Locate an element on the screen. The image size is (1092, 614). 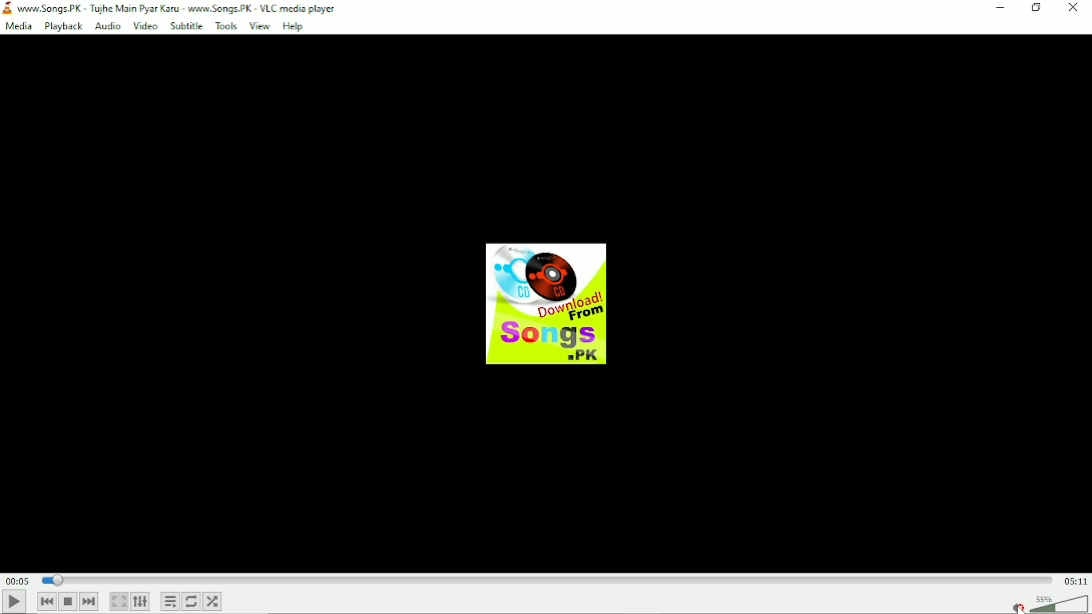
Elapsed time is located at coordinates (17, 579).